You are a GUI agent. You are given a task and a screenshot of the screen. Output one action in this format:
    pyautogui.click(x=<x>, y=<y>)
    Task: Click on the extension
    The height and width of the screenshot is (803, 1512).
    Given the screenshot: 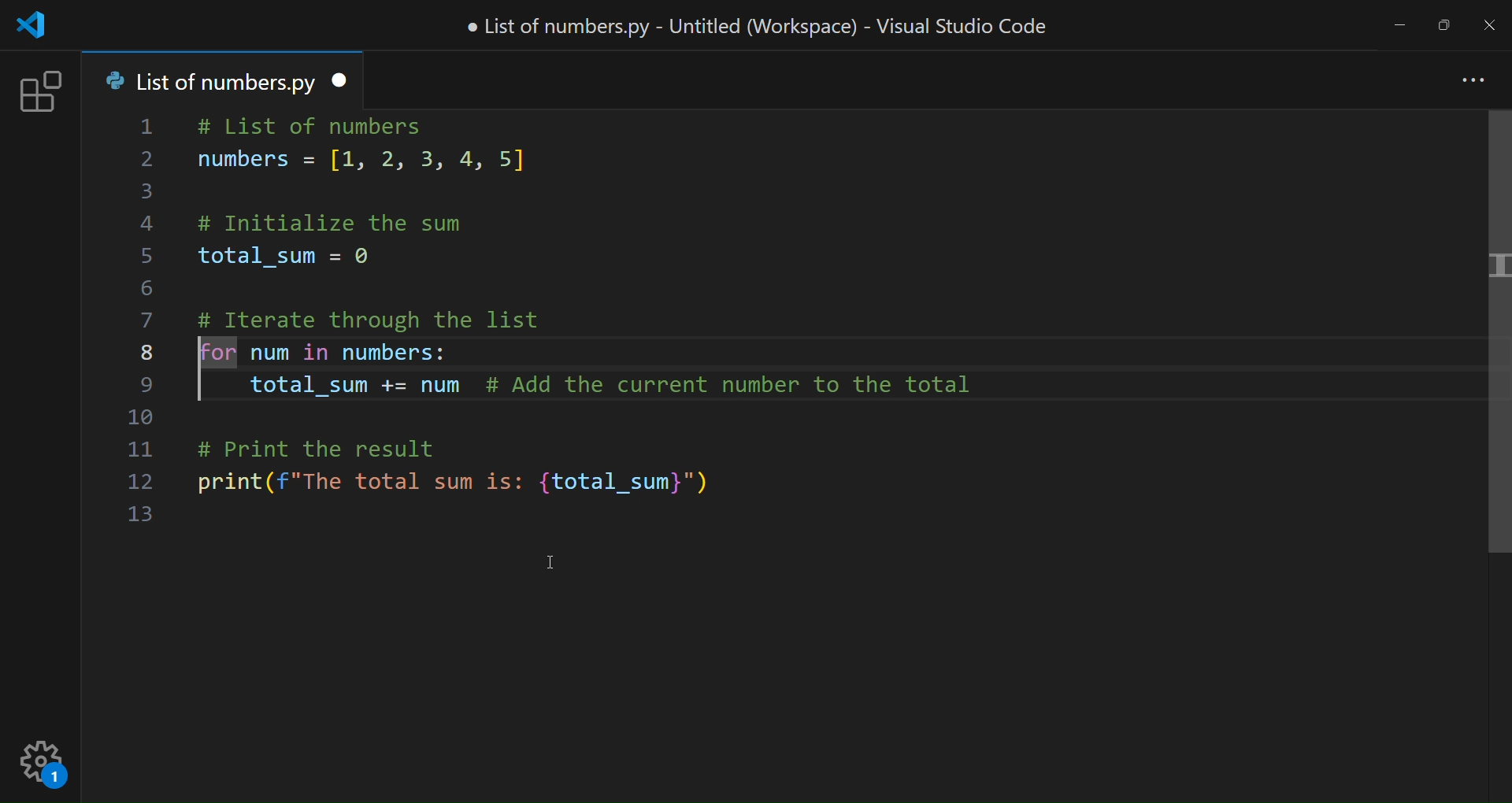 What is the action you would take?
    pyautogui.click(x=39, y=92)
    